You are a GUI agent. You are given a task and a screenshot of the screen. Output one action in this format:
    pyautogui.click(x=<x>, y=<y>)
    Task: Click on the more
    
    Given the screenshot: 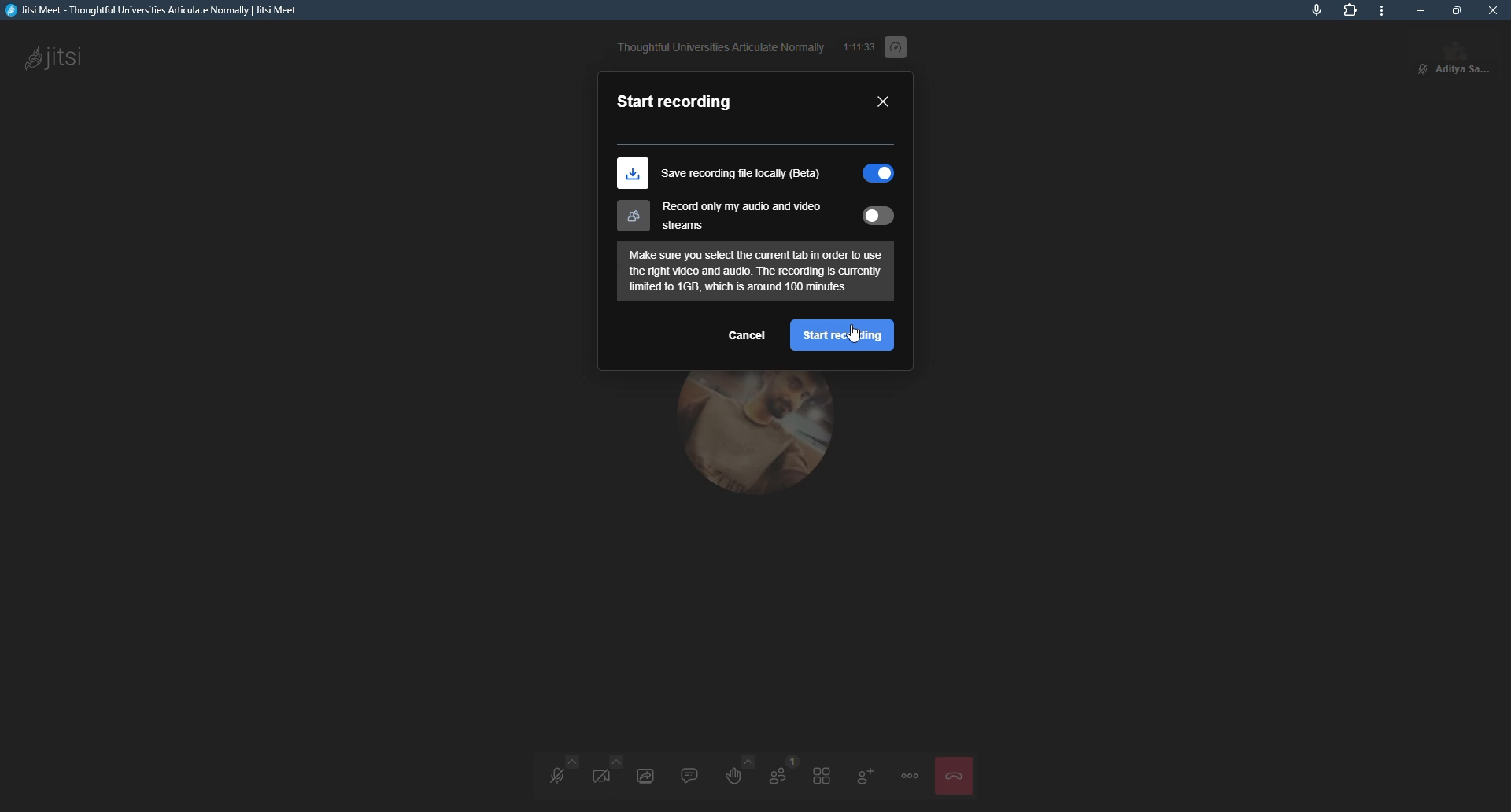 What is the action you would take?
    pyautogui.click(x=1380, y=13)
    